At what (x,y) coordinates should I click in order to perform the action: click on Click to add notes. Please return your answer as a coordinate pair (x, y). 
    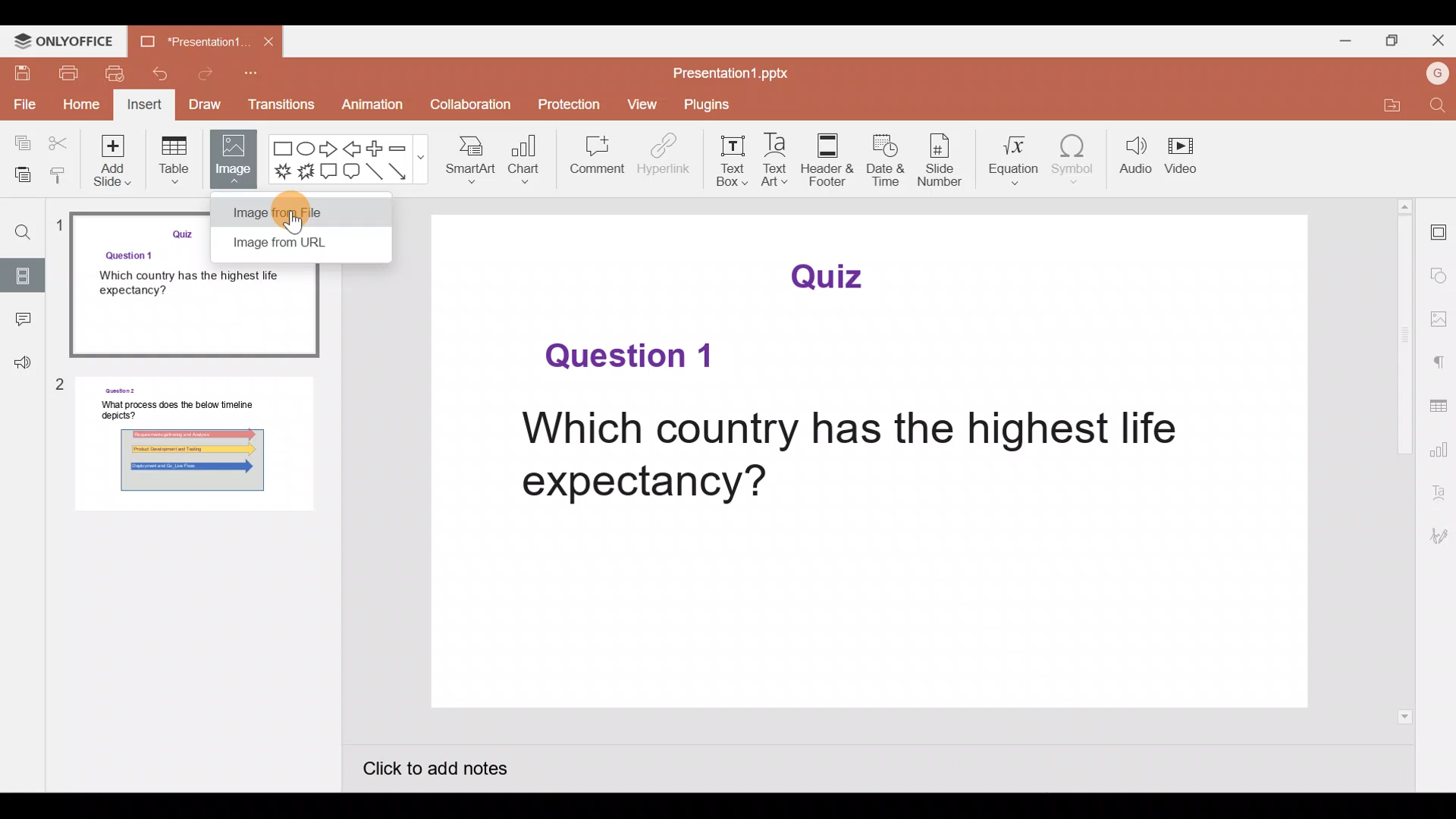
    Looking at the image, I should click on (450, 772).